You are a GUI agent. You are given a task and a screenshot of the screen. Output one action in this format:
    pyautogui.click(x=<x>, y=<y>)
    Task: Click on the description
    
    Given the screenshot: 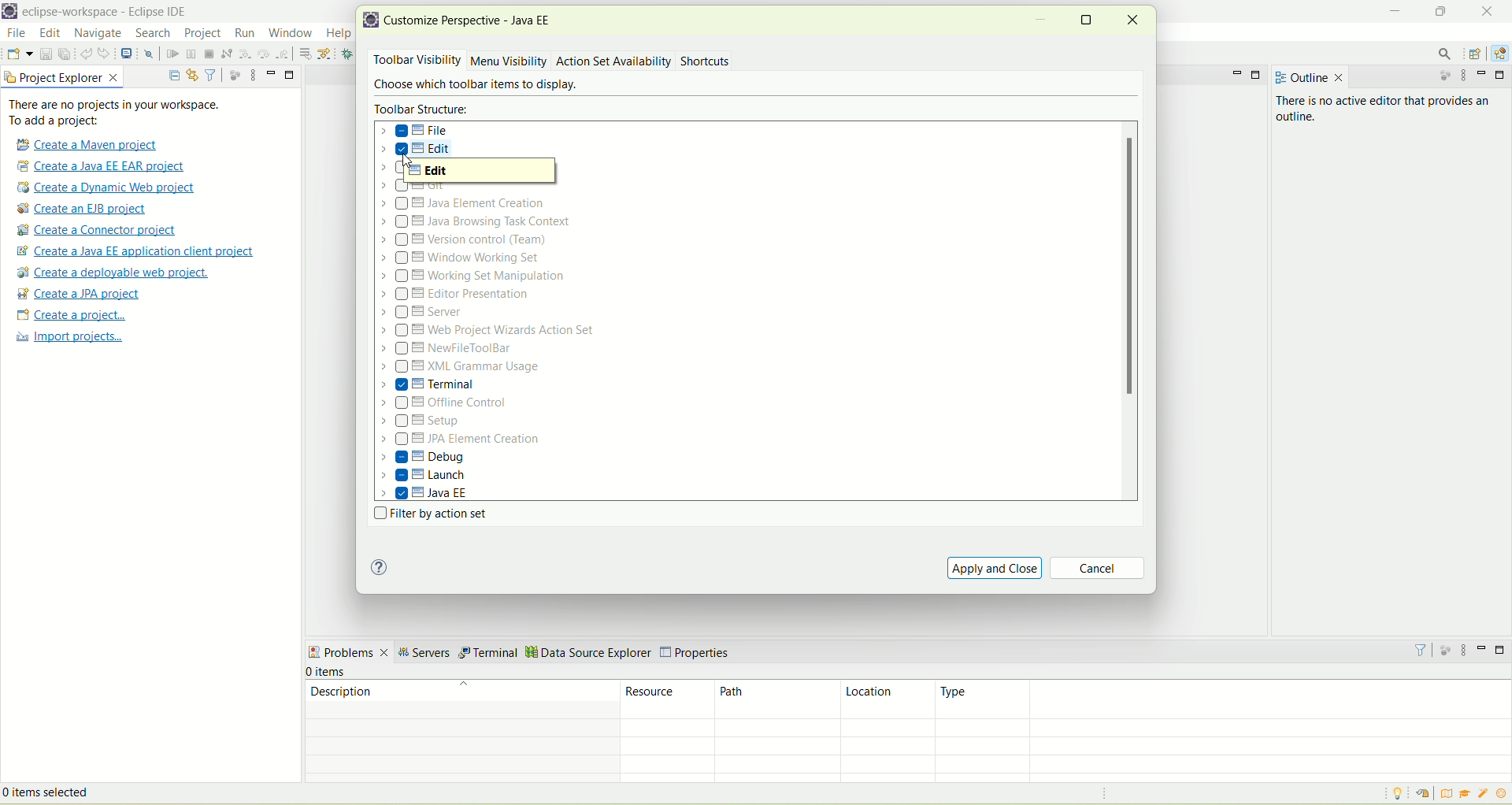 What is the action you would take?
    pyautogui.click(x=459, y=698)
    